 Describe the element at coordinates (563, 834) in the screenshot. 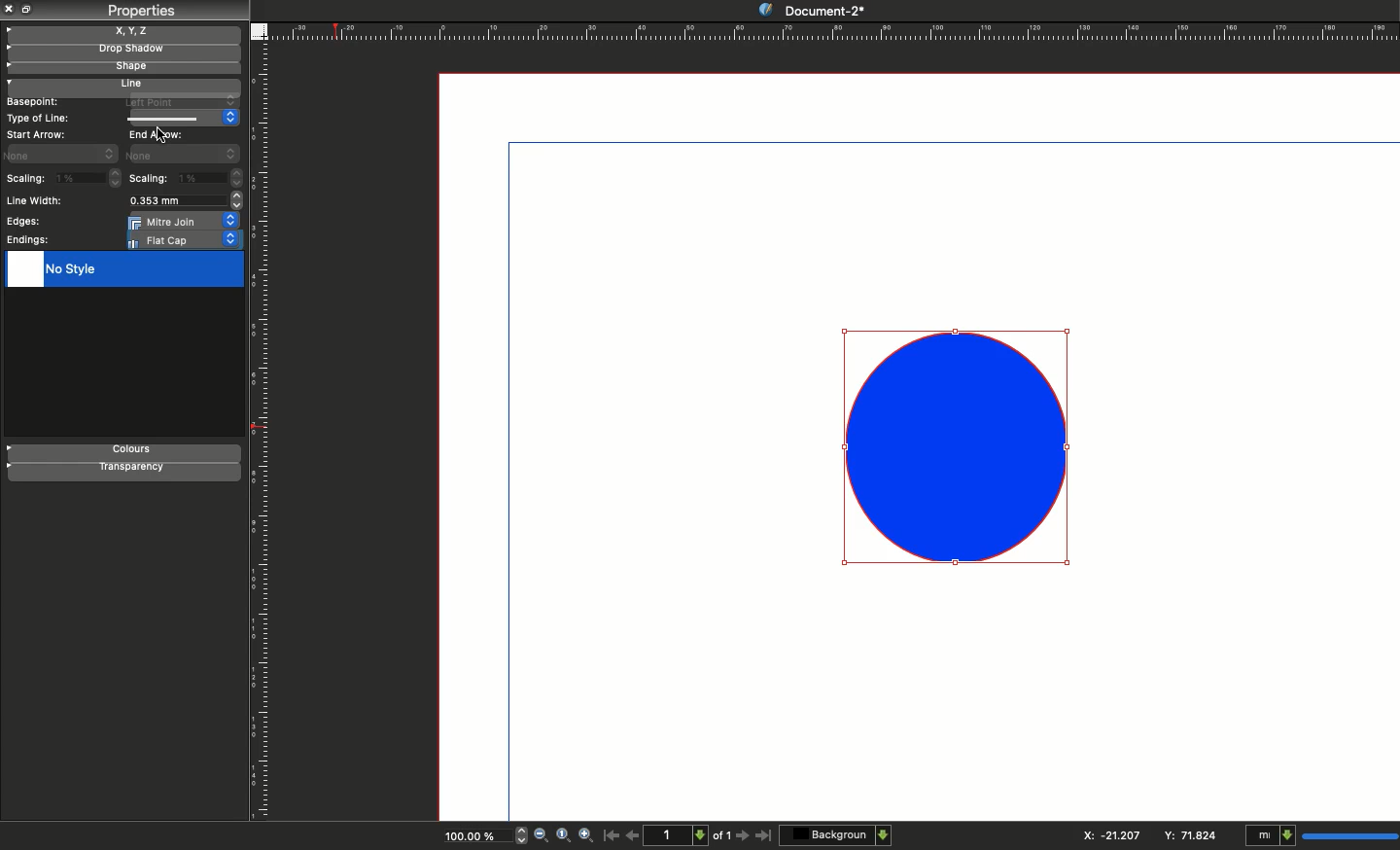

I see `Zoom to` at that location.